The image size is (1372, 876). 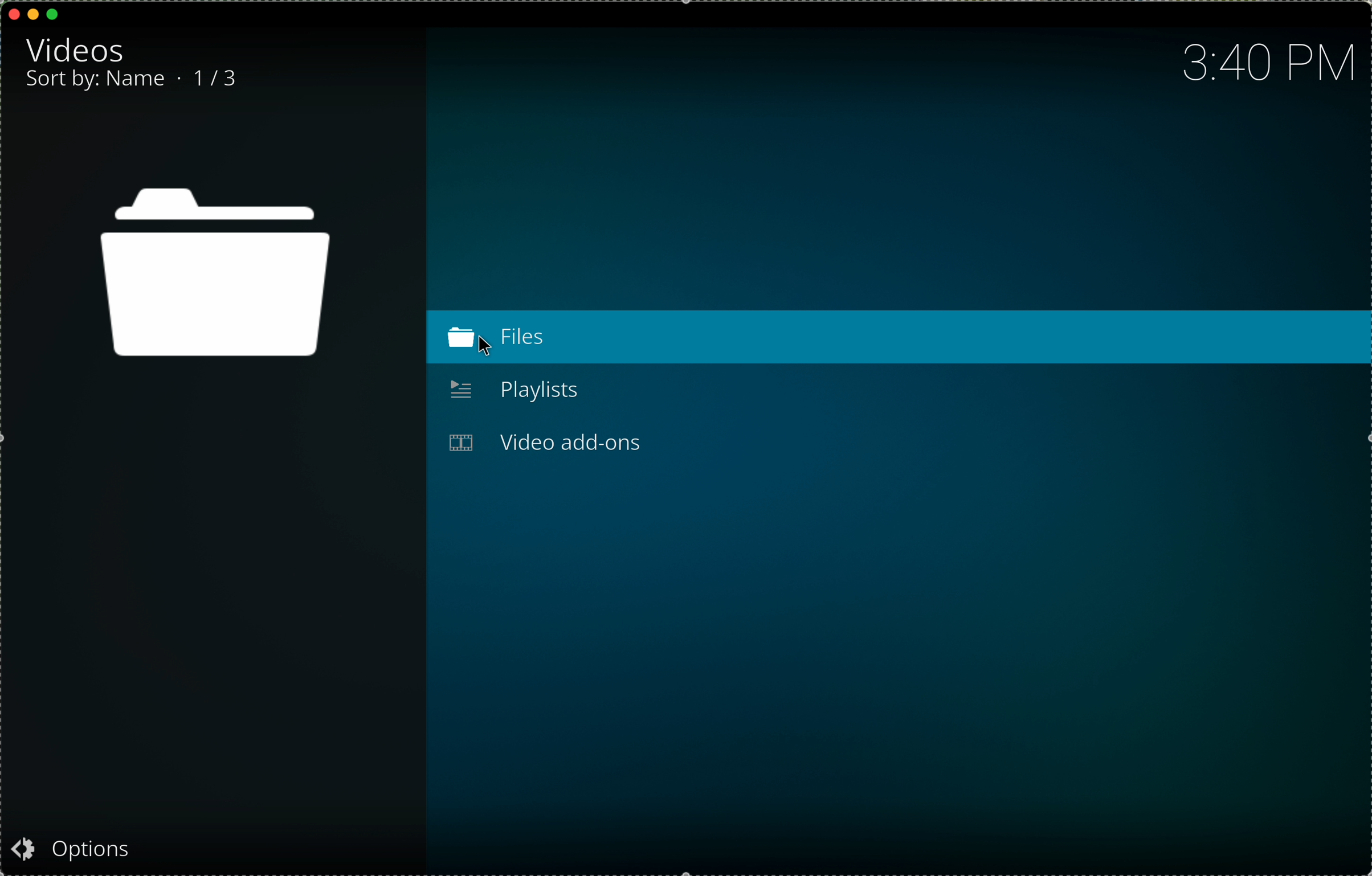 What do you see at coordinates (33, 13) in the screenshot?
I see `minimise` at bounding box center [33, 13].